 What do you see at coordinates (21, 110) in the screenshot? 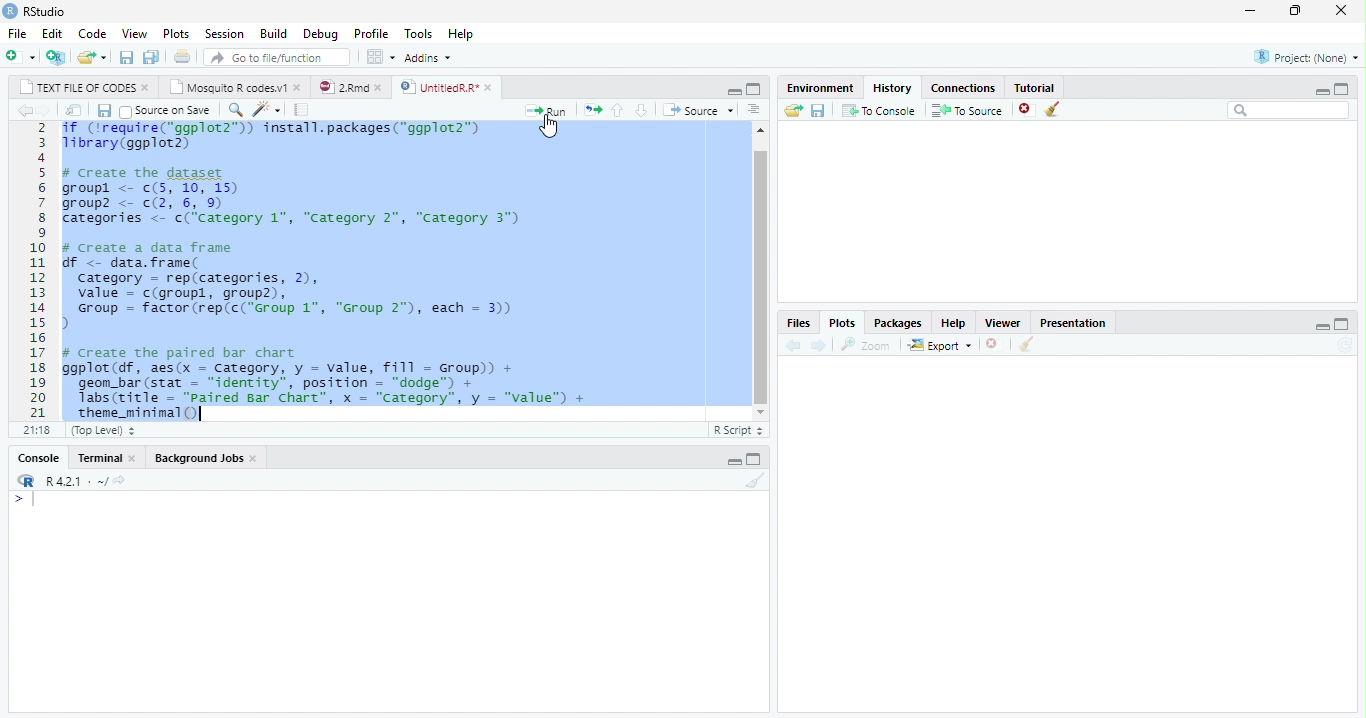
I see `go back` at bounding box center [21, 110].